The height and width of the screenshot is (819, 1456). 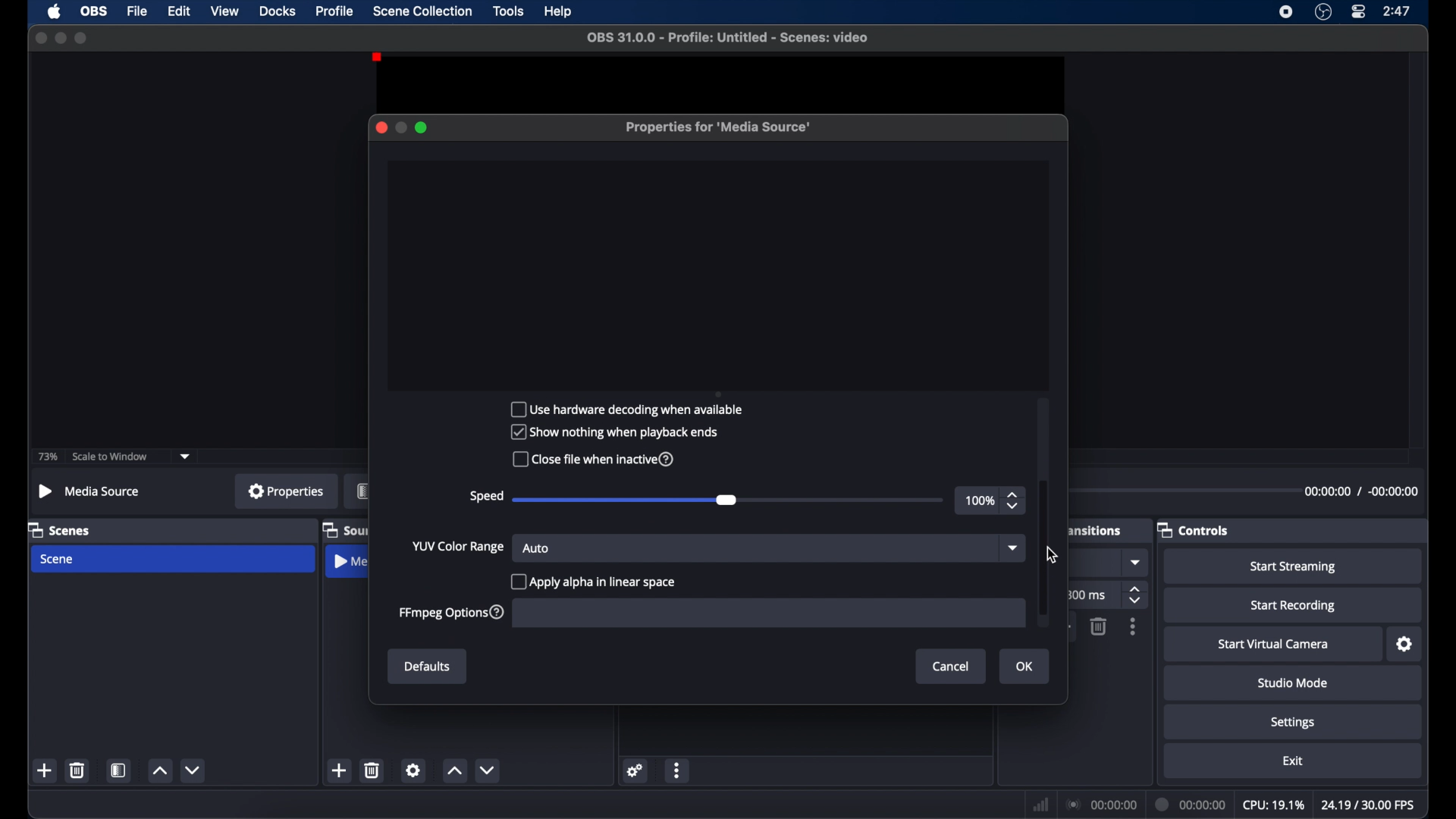 I want to click on scene filters, so click(x=119, y=770).